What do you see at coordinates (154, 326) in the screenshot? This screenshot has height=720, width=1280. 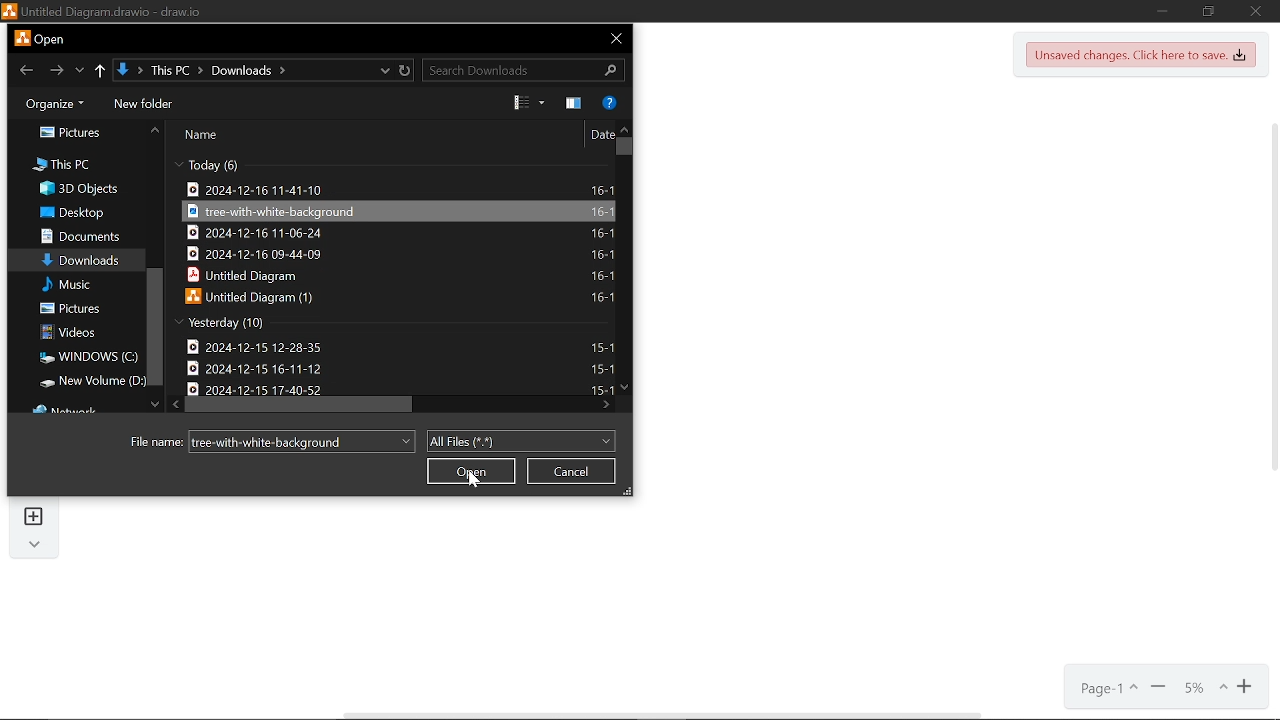 I see `Vertical scrolbar in folders` at bounding box center [154, 326].